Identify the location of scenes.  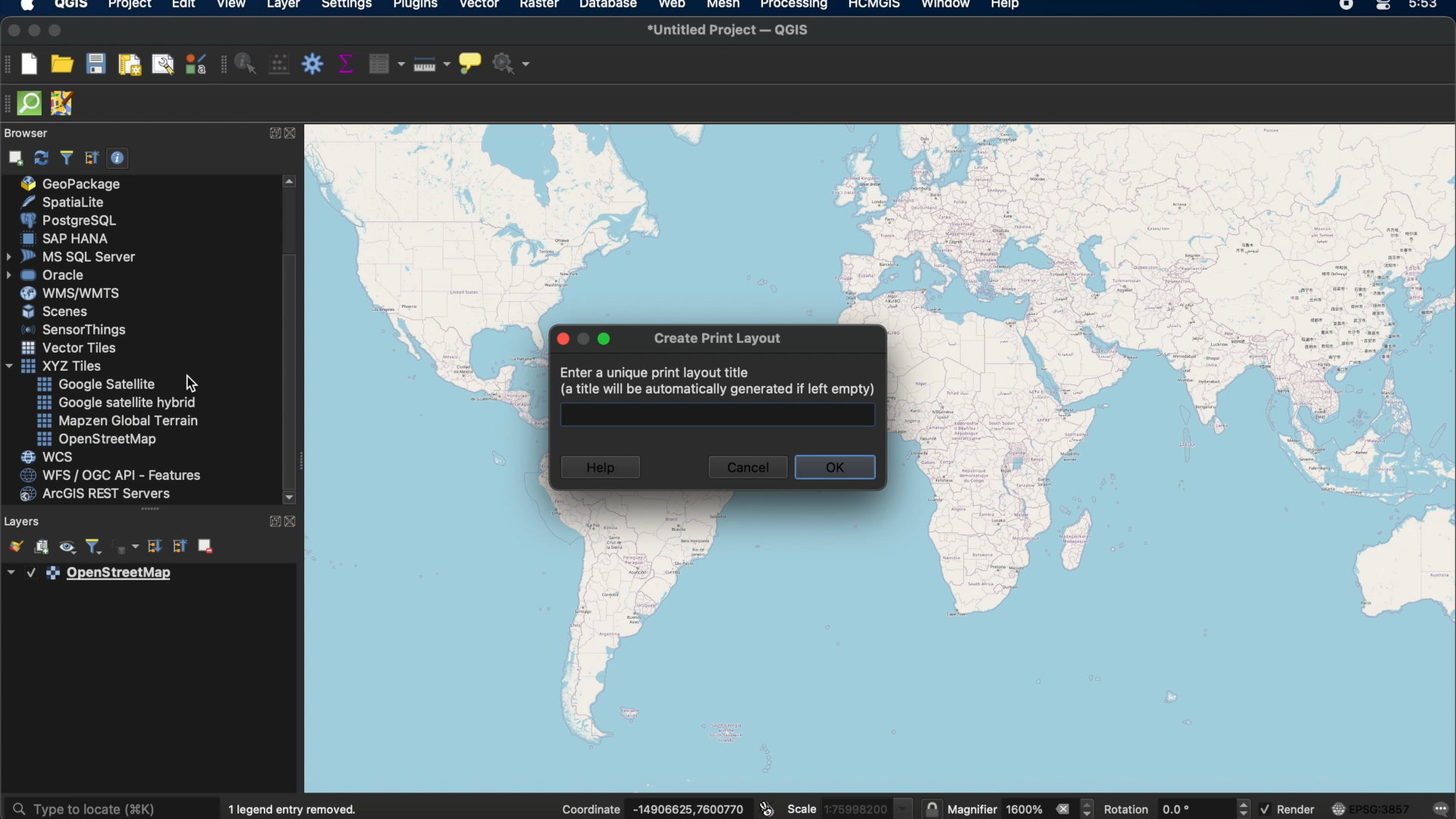
(51, 310).